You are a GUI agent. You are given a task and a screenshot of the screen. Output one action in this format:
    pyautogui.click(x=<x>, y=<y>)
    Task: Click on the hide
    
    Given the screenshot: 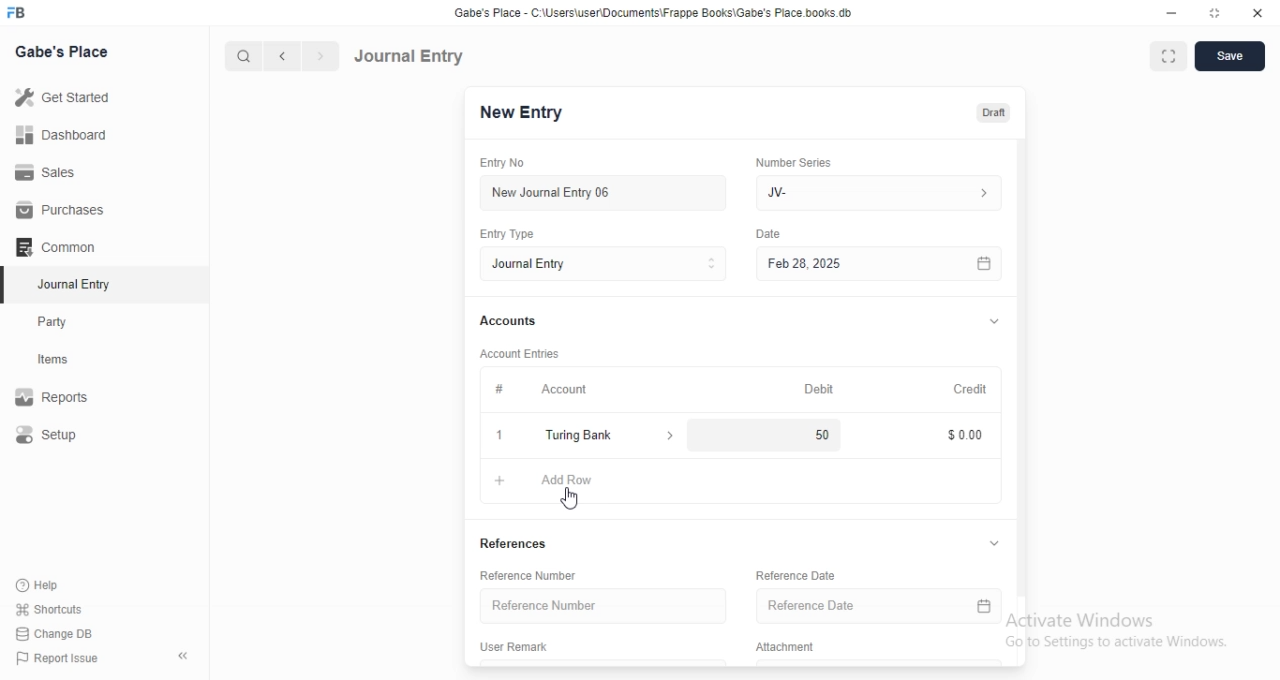 What is the action you would take?
    pyautogui.click(x=179, y=657)
    